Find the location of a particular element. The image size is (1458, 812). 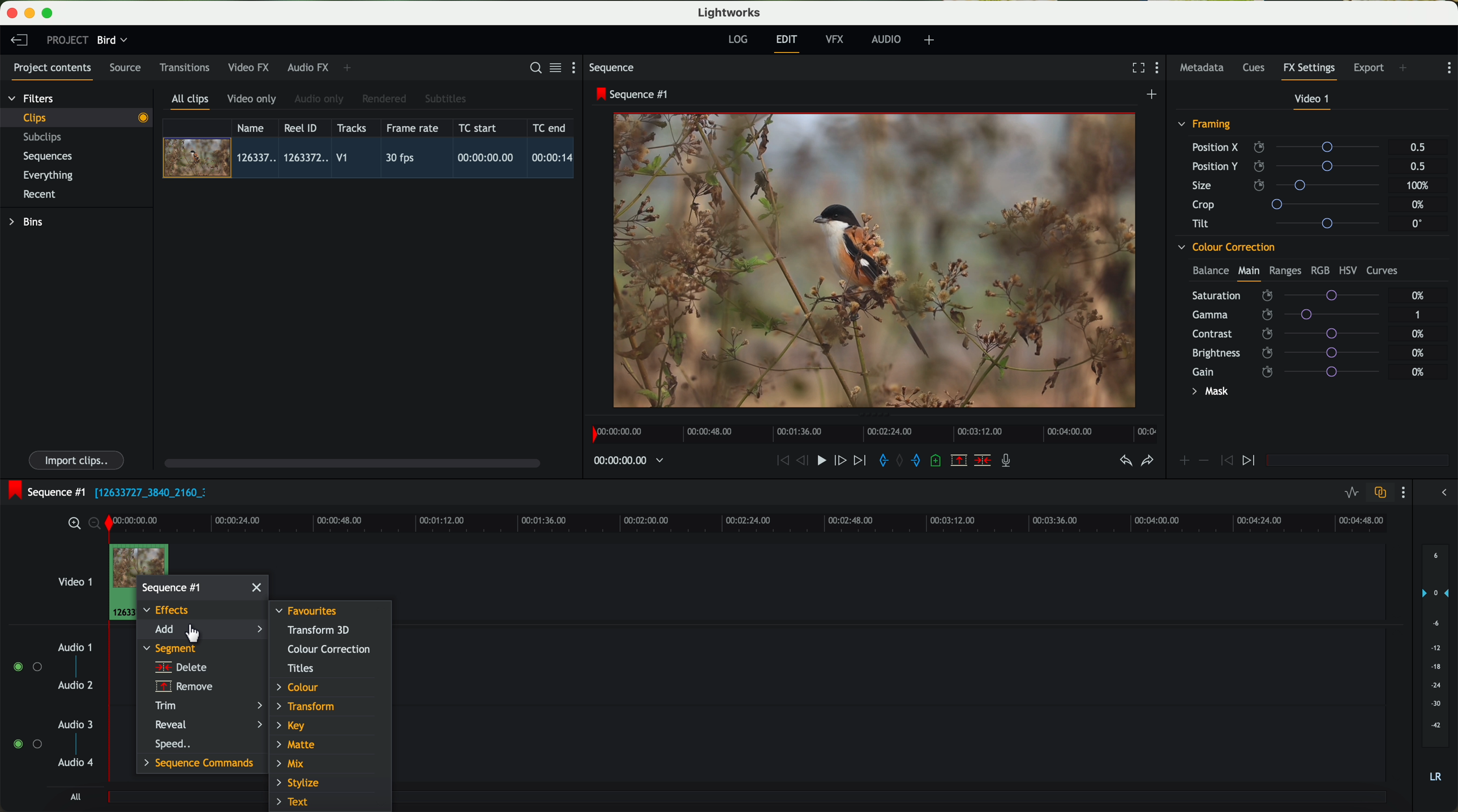

0% is located at coordinates (1420, 334).